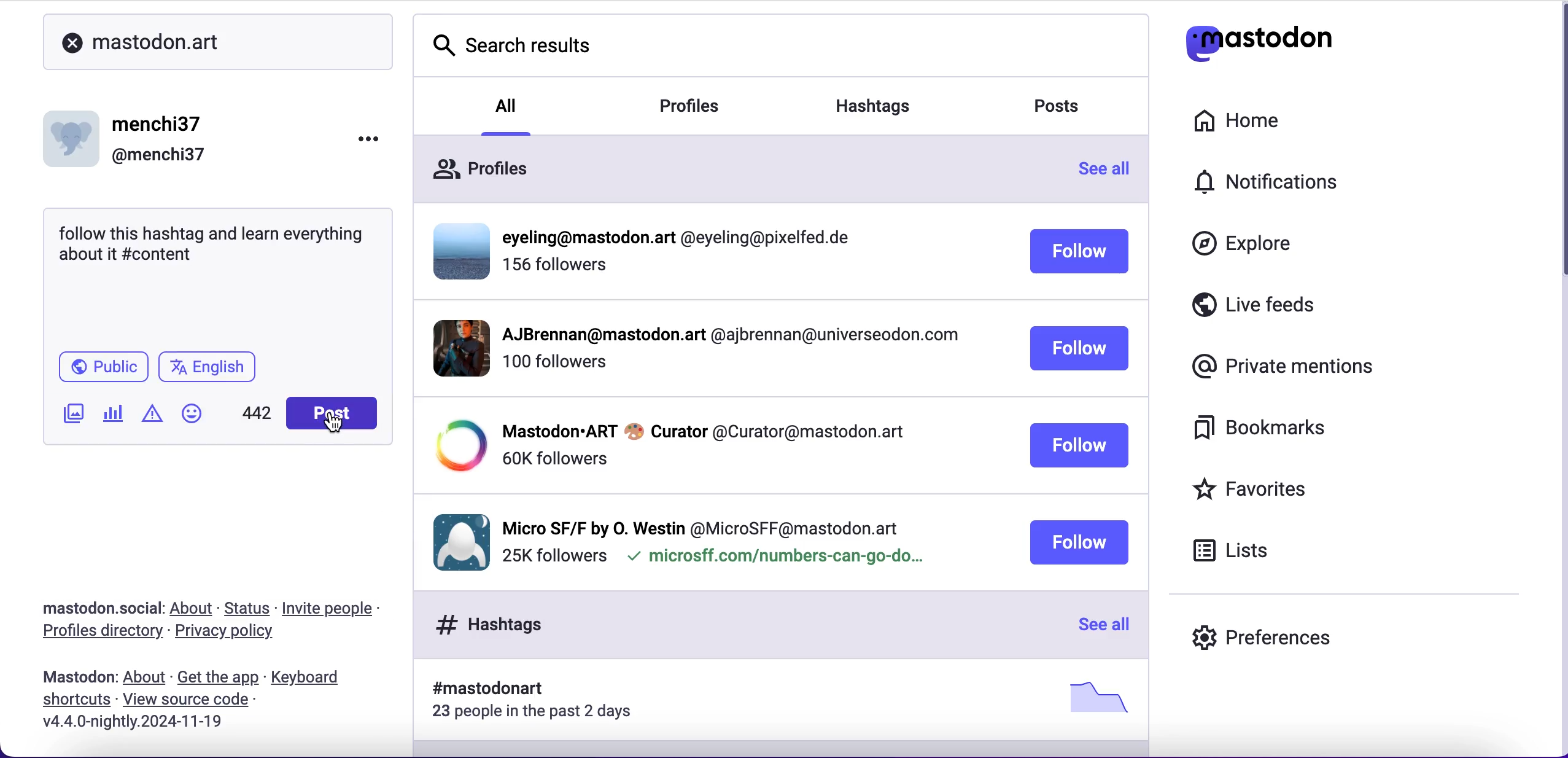 The height and width of the screenshot is (758, 1568). Describe the element at coordinates (248, 608) in the screenshot. I see `status` at that location.